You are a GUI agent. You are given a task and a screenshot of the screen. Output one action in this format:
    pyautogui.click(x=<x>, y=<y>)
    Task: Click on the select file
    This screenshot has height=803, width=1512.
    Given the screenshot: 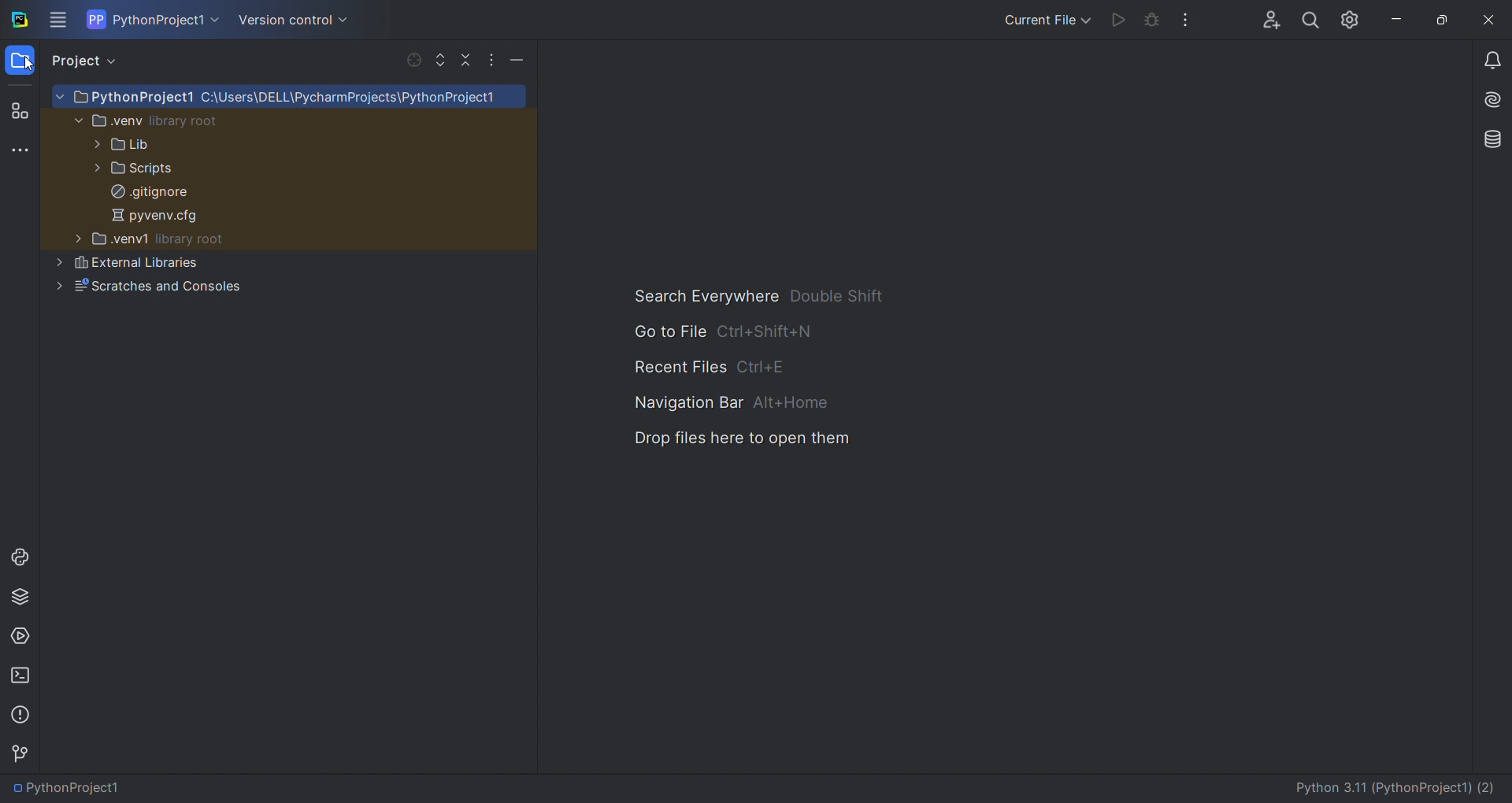 What is the action you would take?
    pyautogui.click(x=412, y=60)
    